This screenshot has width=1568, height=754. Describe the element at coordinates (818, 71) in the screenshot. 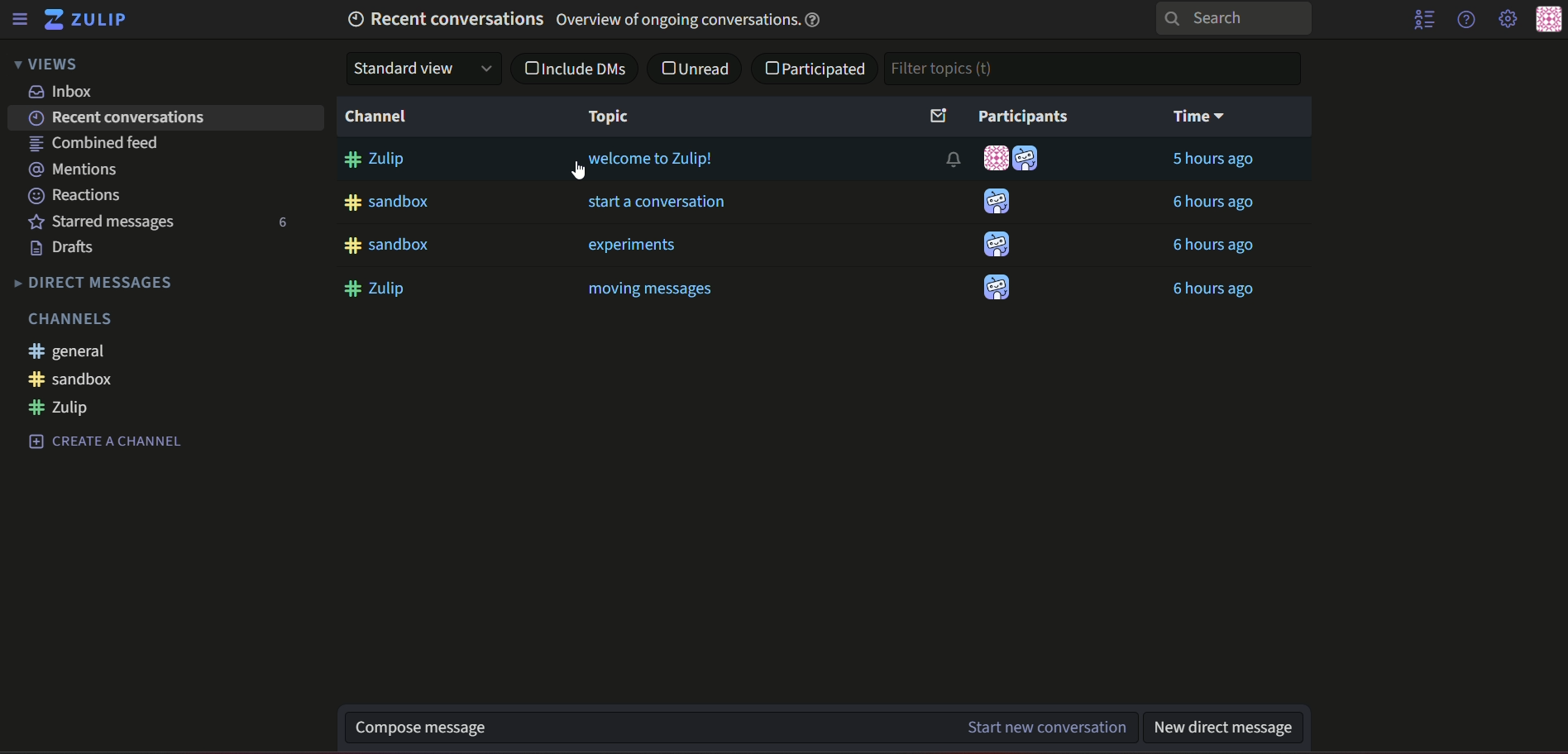

I see `participated` at that location.